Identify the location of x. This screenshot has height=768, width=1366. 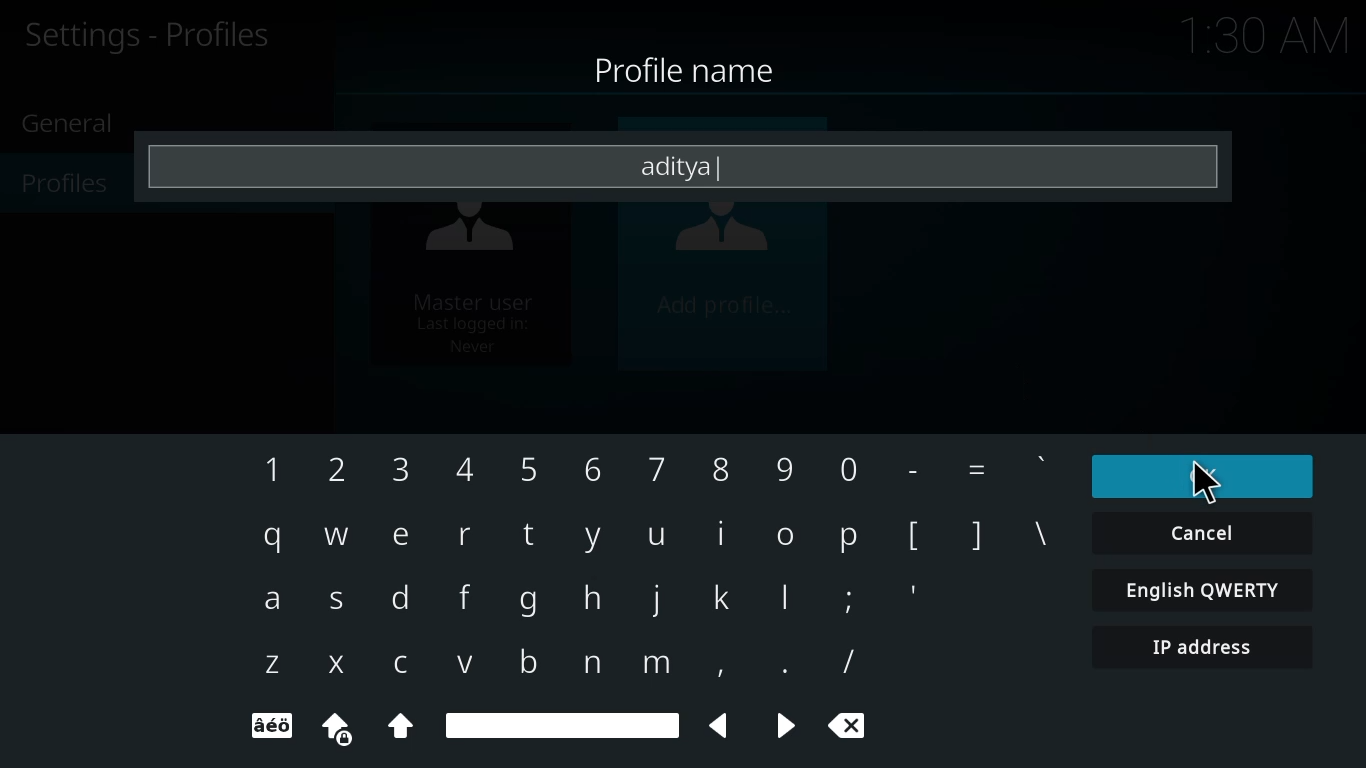
(337, 666).